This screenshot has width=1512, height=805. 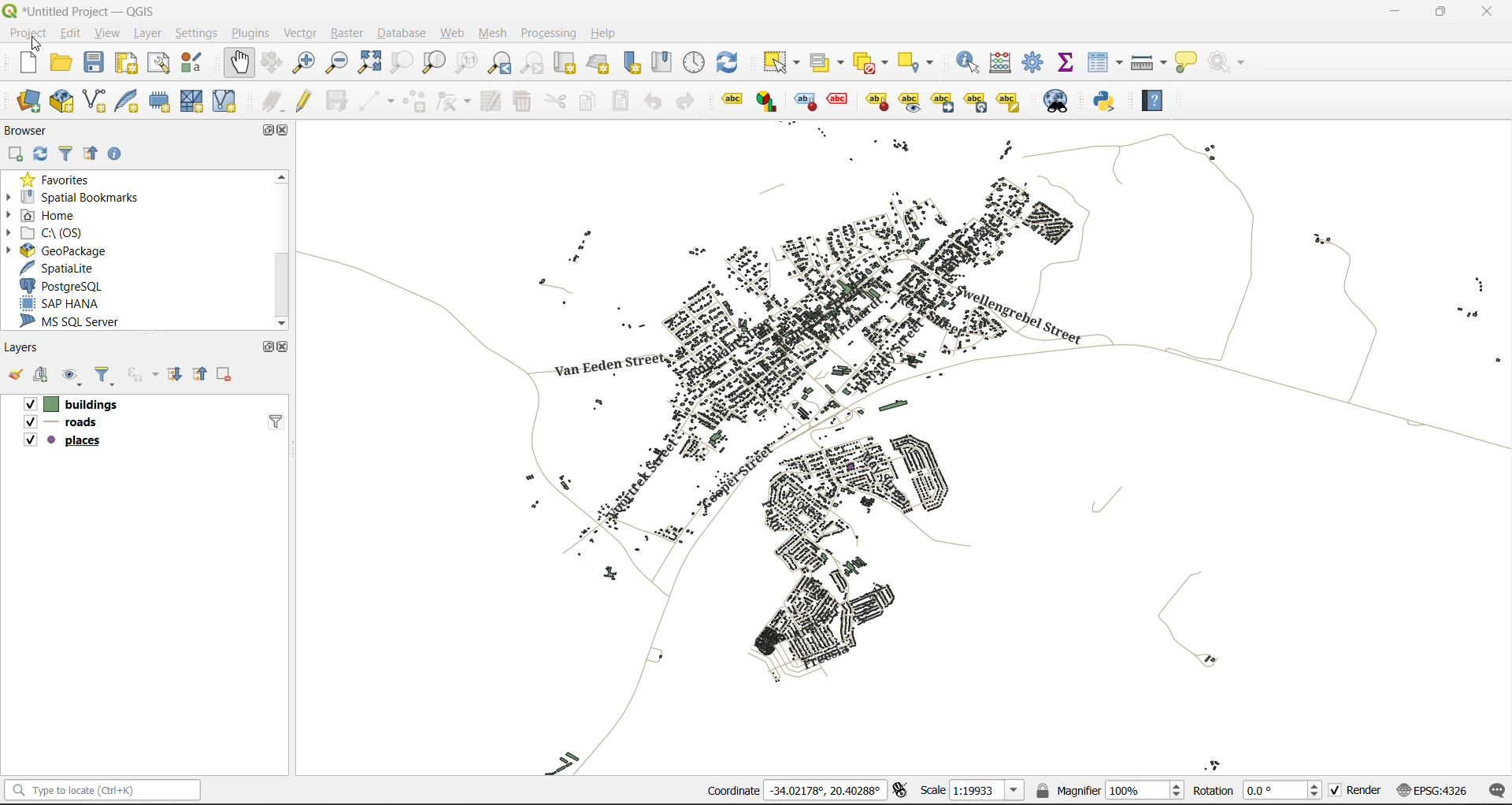 What do you see at coordinates (696, 63) in the screenshot?
I see `control panel` at bounding box center [696, 63].